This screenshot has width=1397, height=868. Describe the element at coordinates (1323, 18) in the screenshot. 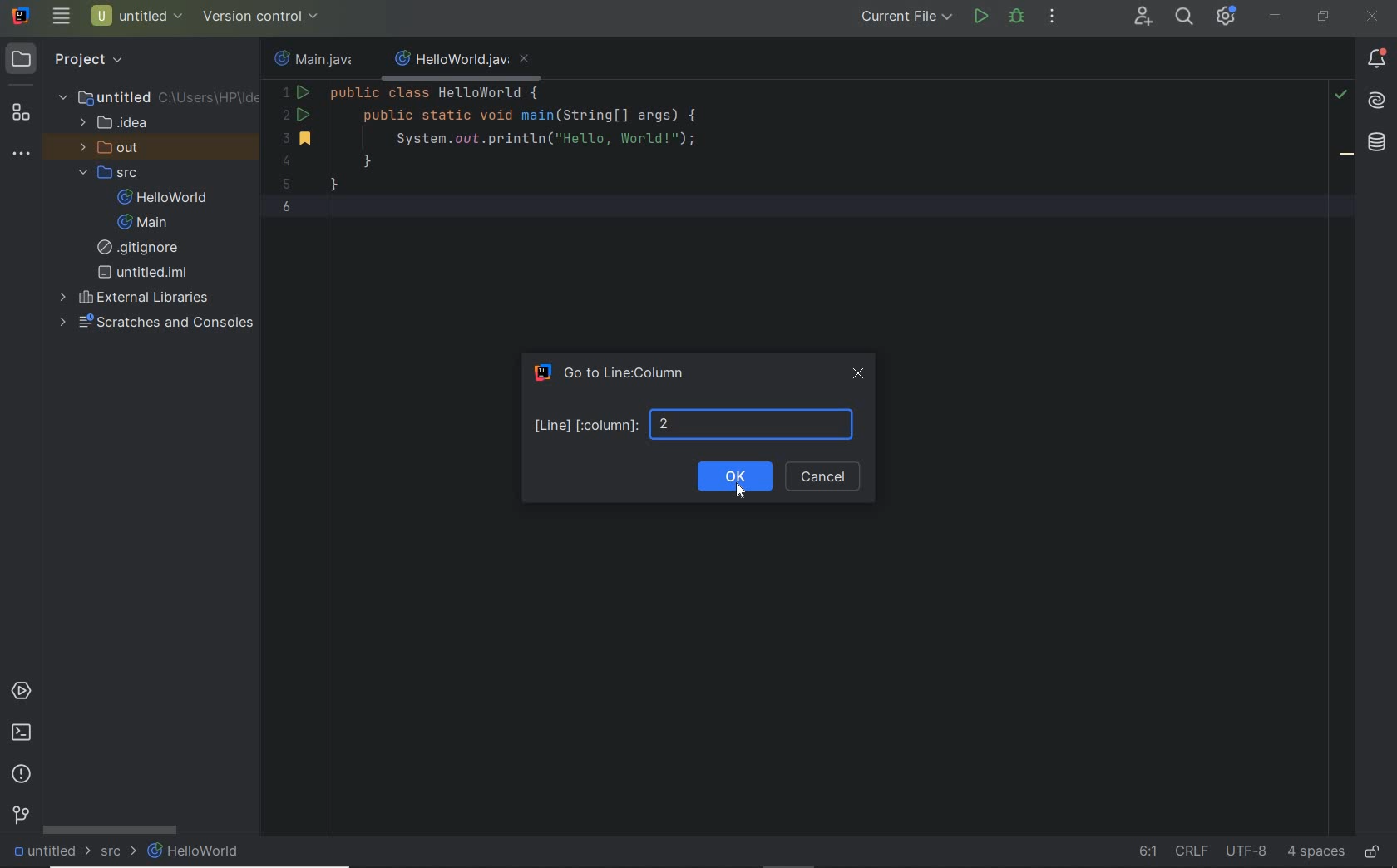

I see `restore down` at that location.